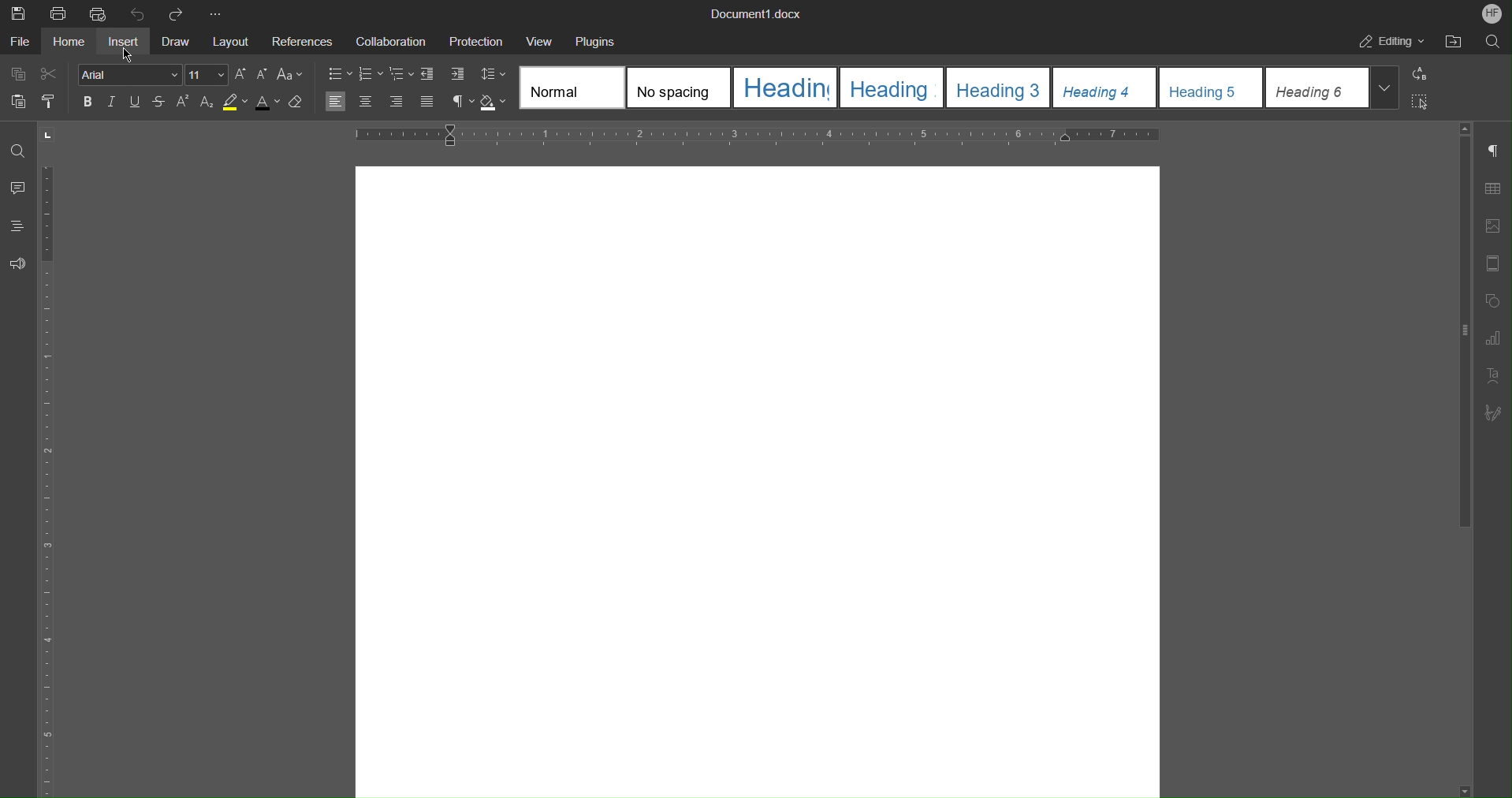  What do you see at coordinates (389, 41) in the screenshot?
I see `Collaboration` at bounding box center [389, 41].